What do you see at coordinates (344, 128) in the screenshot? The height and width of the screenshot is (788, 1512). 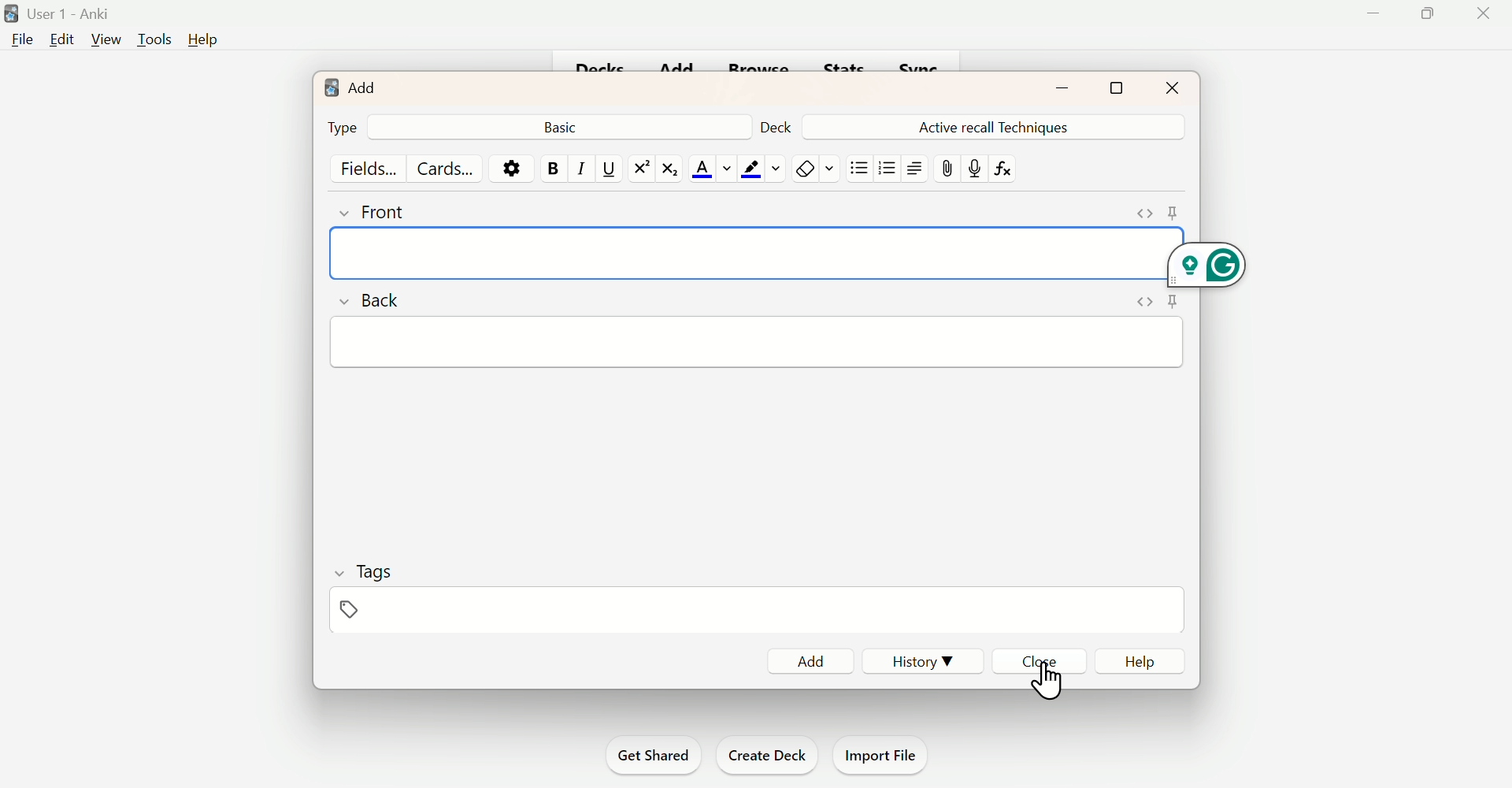 I see `Type` at bounding box center [344, 128].